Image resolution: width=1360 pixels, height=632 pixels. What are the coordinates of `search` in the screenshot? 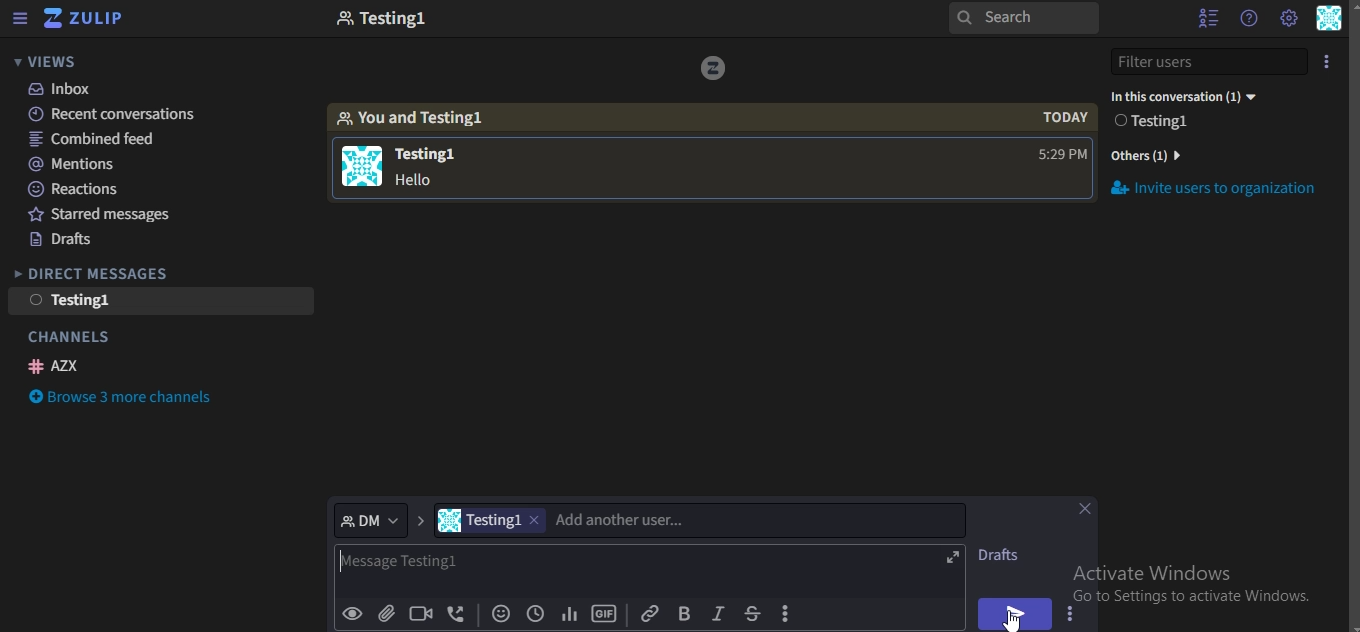 It's located at (1022, 19).